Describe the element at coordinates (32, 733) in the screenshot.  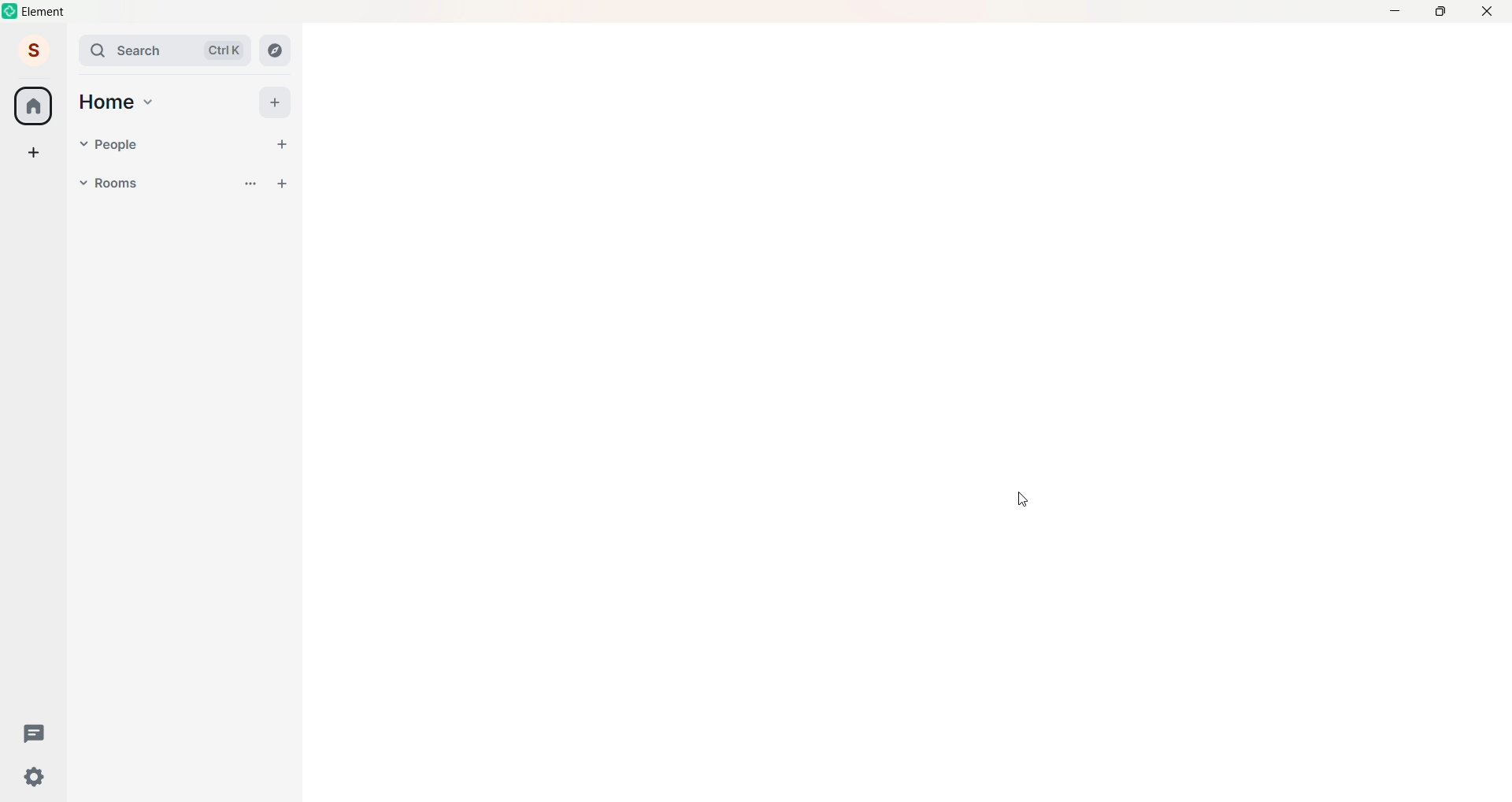
I see `Threads` at that location.